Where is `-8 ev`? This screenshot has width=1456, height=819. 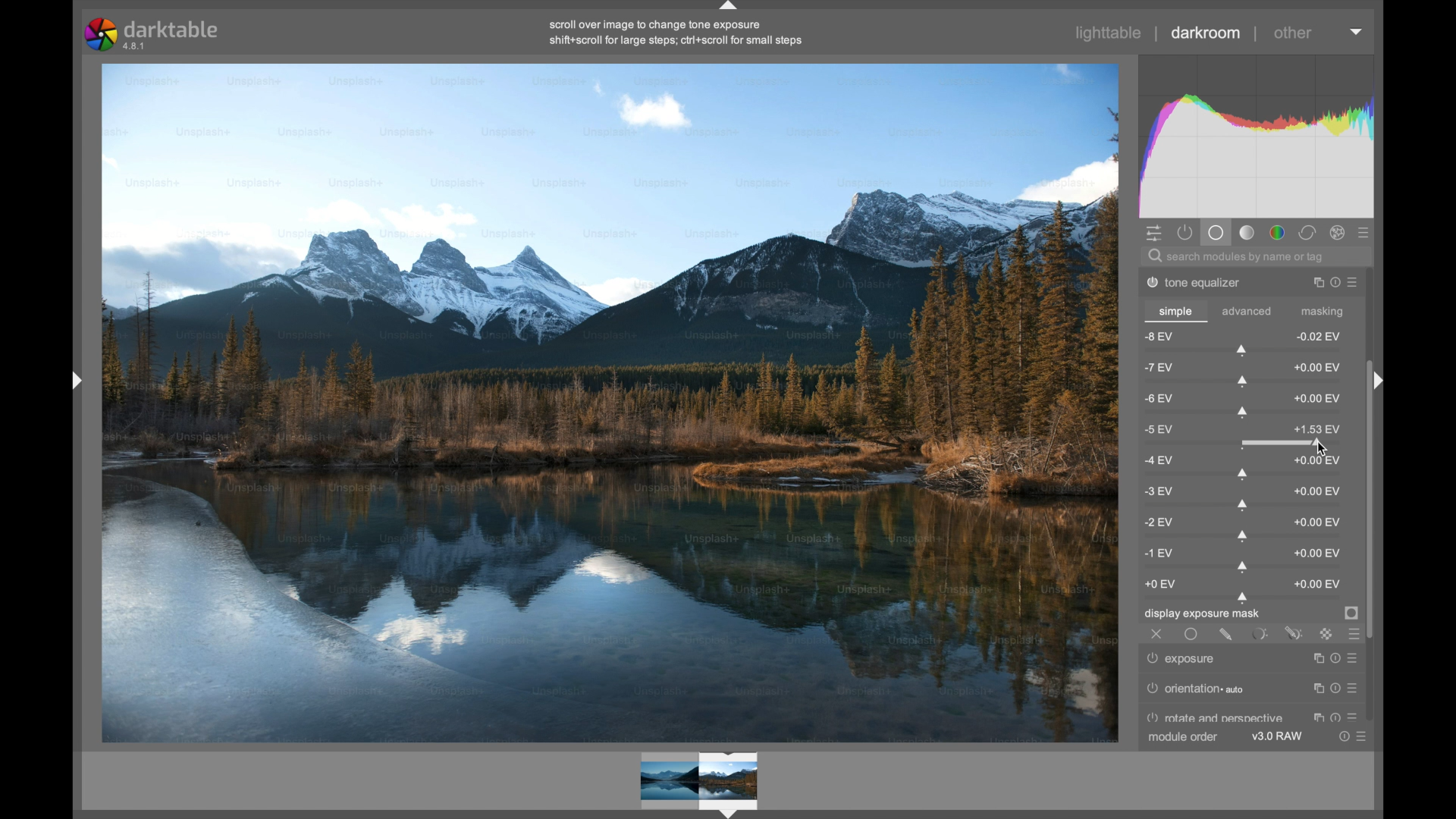
-8 ev is located at coordinates (1159, 337).